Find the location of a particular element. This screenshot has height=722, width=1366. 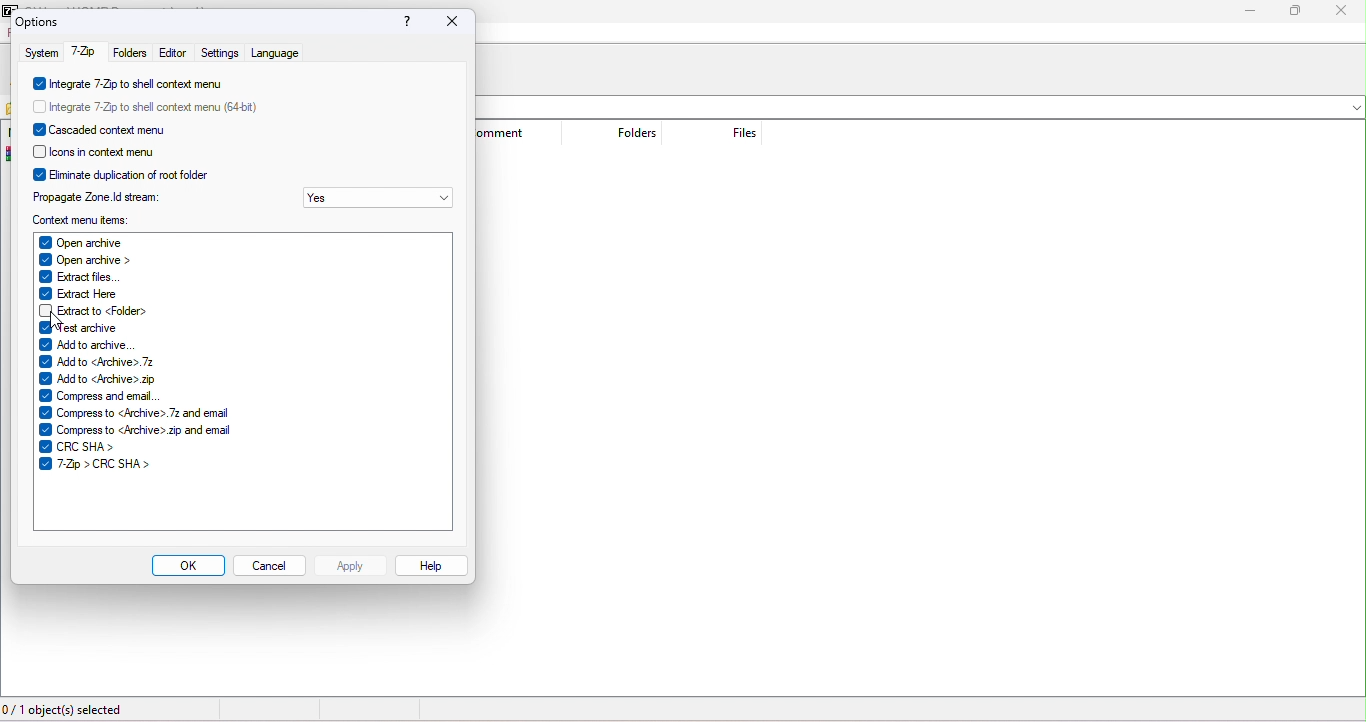

cascade context menu is located at coordinates (120, 128).